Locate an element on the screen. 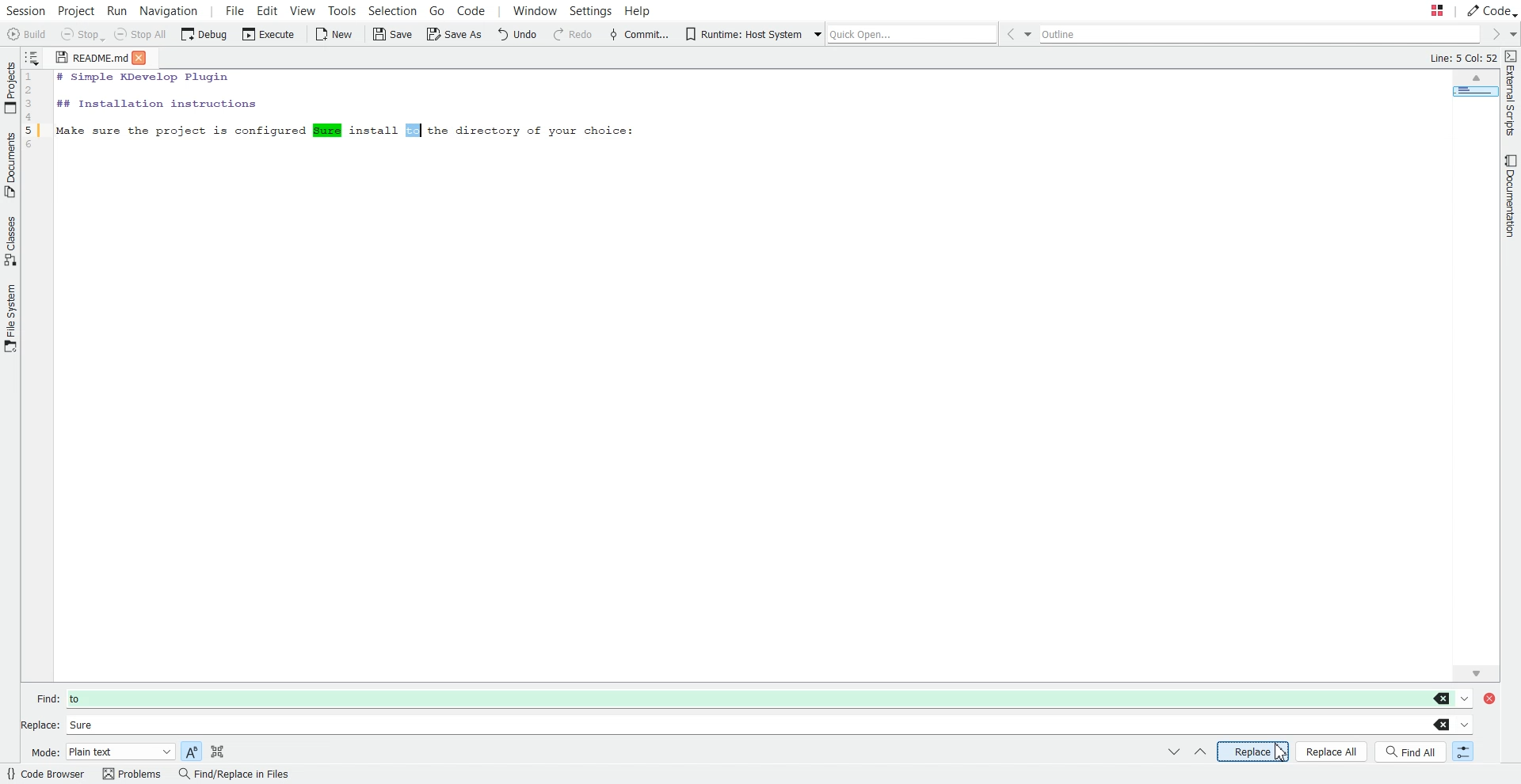 The image size is (1521, 784). Commit is located at coordinates (639, 34).